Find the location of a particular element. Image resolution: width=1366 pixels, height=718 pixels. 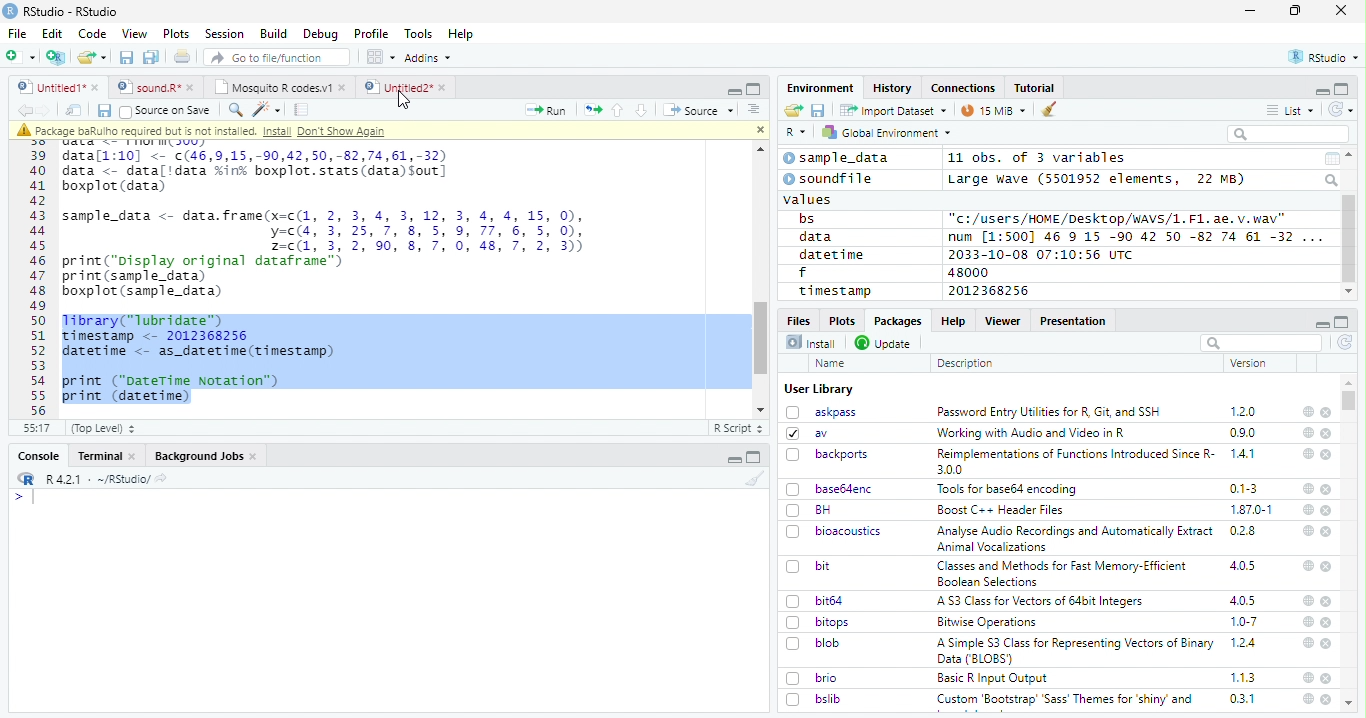

Refresh is located at coordinates (1346, 344).